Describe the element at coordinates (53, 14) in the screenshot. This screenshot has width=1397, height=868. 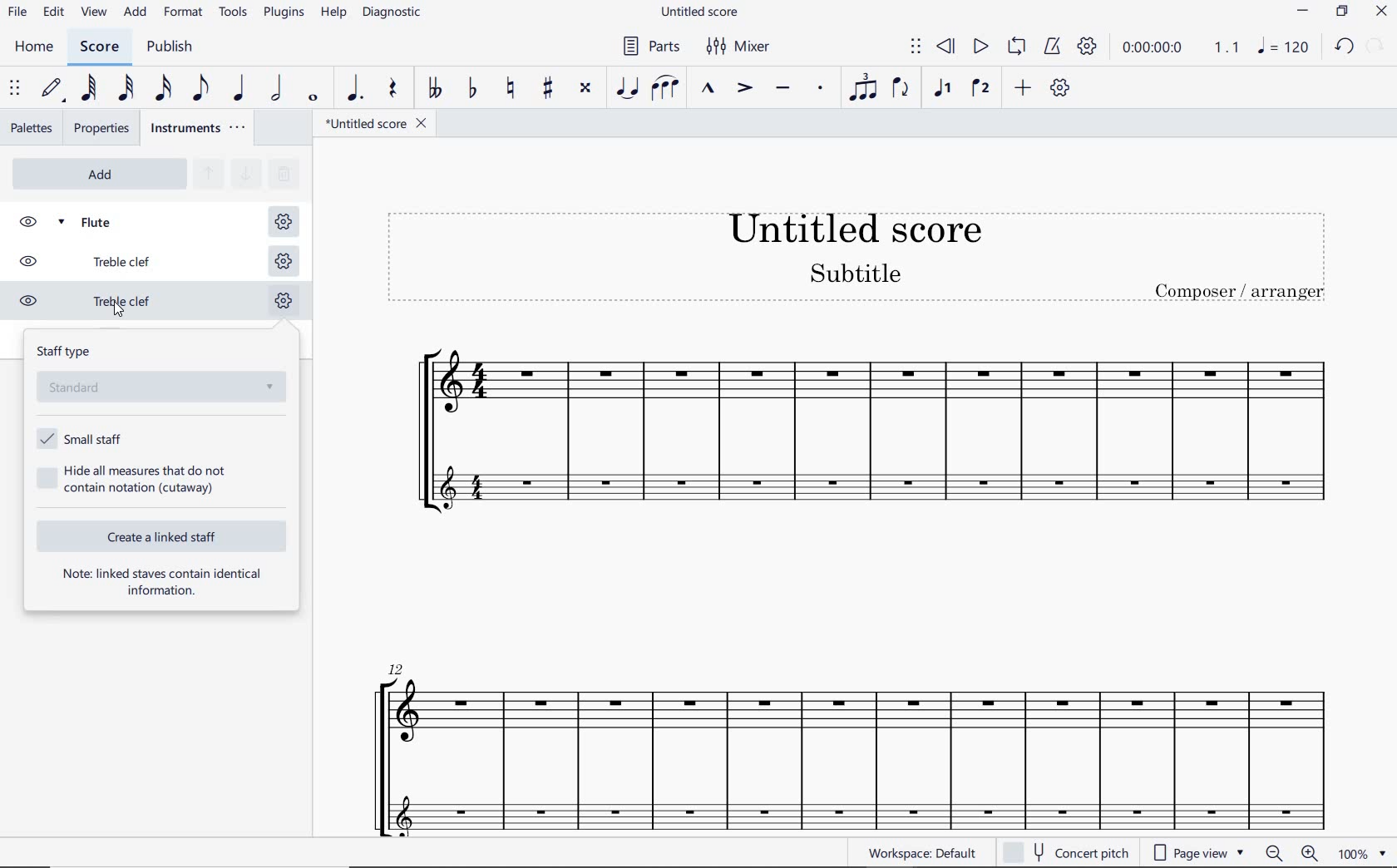
I see `edit` at that location.